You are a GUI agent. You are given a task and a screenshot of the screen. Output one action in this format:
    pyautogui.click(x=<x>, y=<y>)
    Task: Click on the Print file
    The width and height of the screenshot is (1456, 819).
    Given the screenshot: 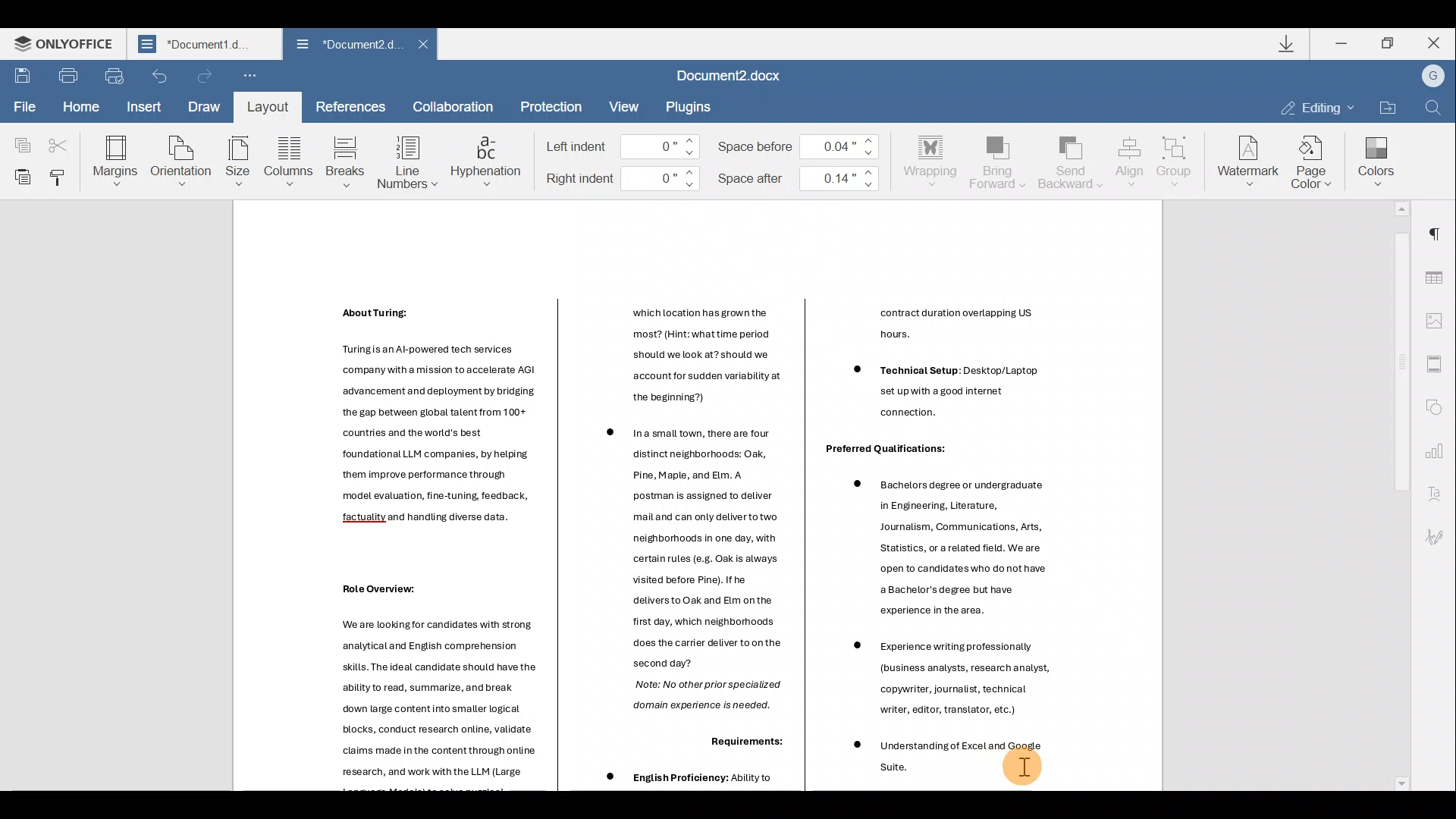 What is the action you would take?
    pyautogui.click(x=67, y=75)
    